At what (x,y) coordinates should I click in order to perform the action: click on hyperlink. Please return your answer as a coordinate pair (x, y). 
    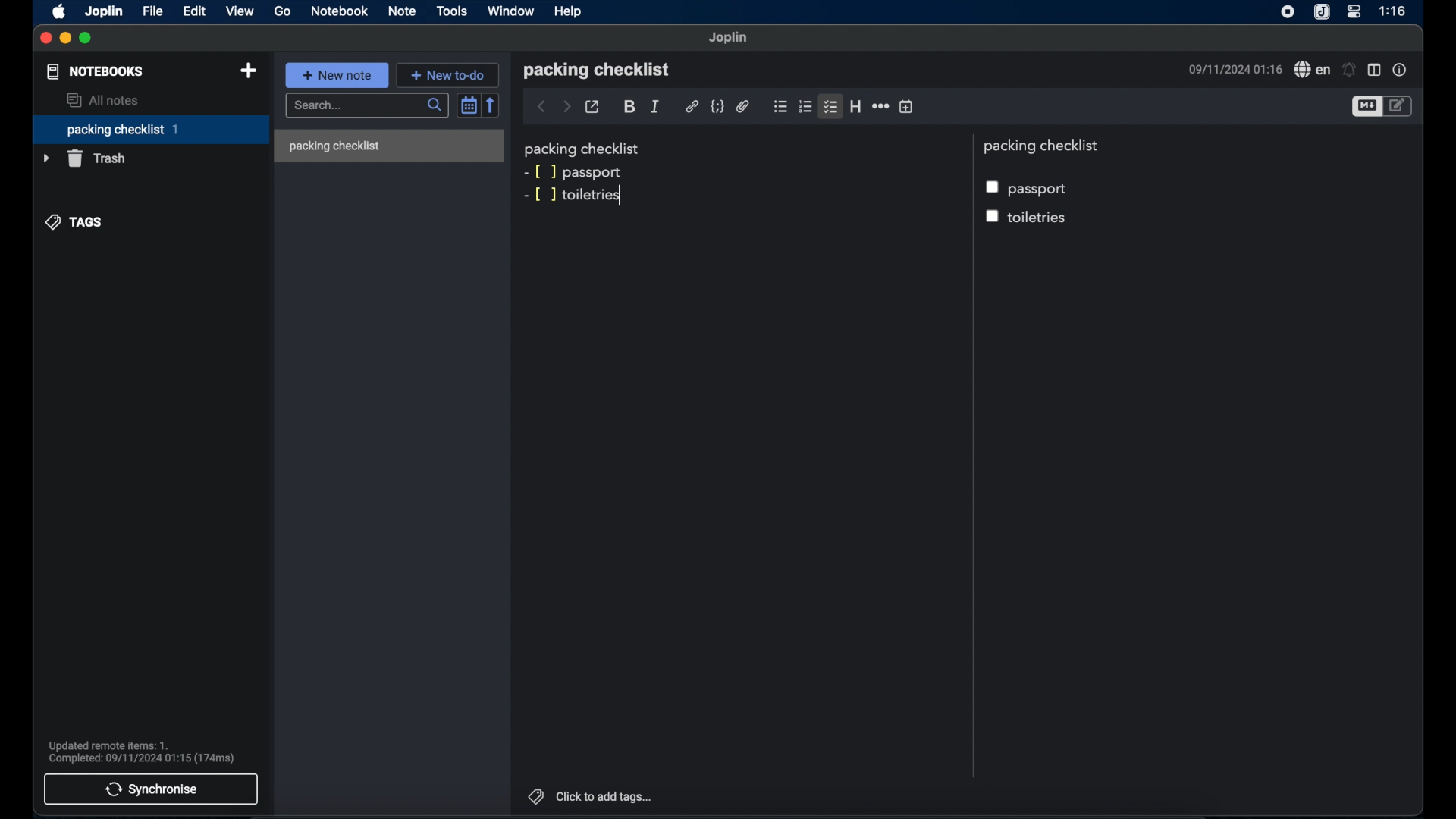
    Looking at the image, I should click on (692, 107).